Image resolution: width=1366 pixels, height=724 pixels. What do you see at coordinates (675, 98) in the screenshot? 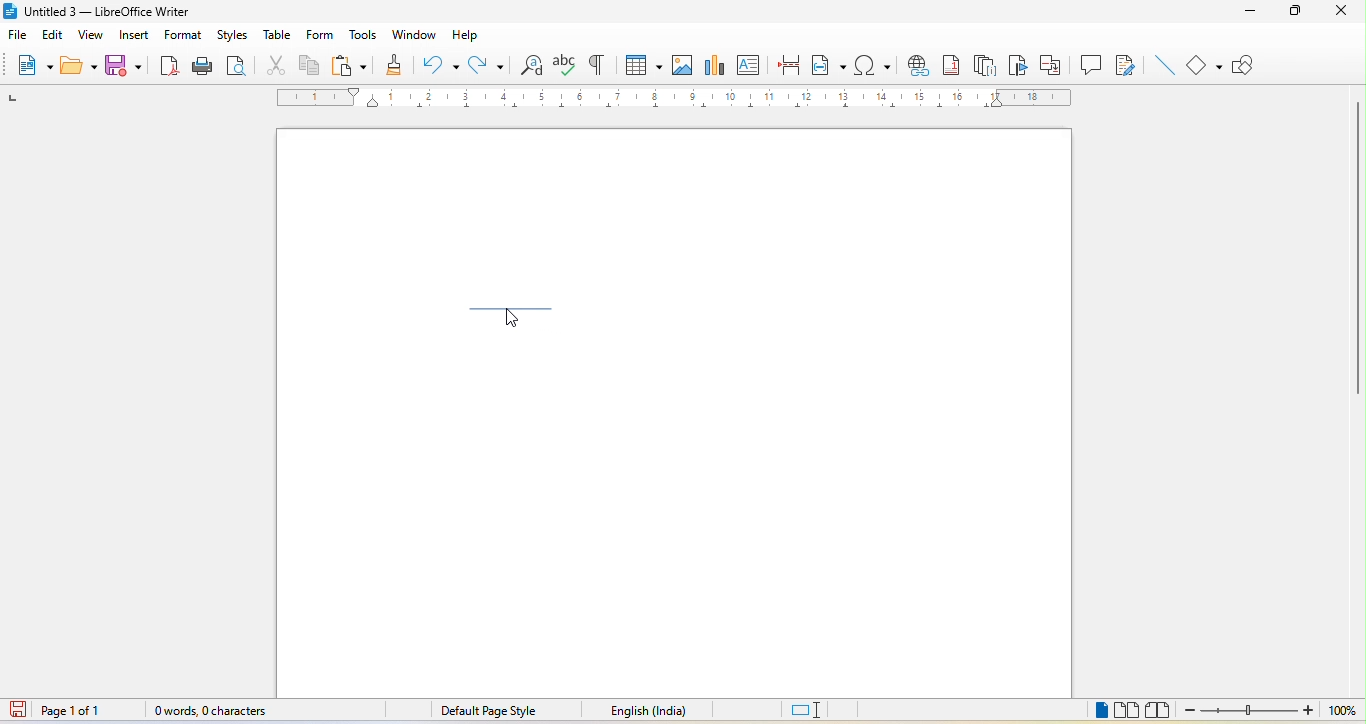
I see `ruler` at bounding box center [675, 98].